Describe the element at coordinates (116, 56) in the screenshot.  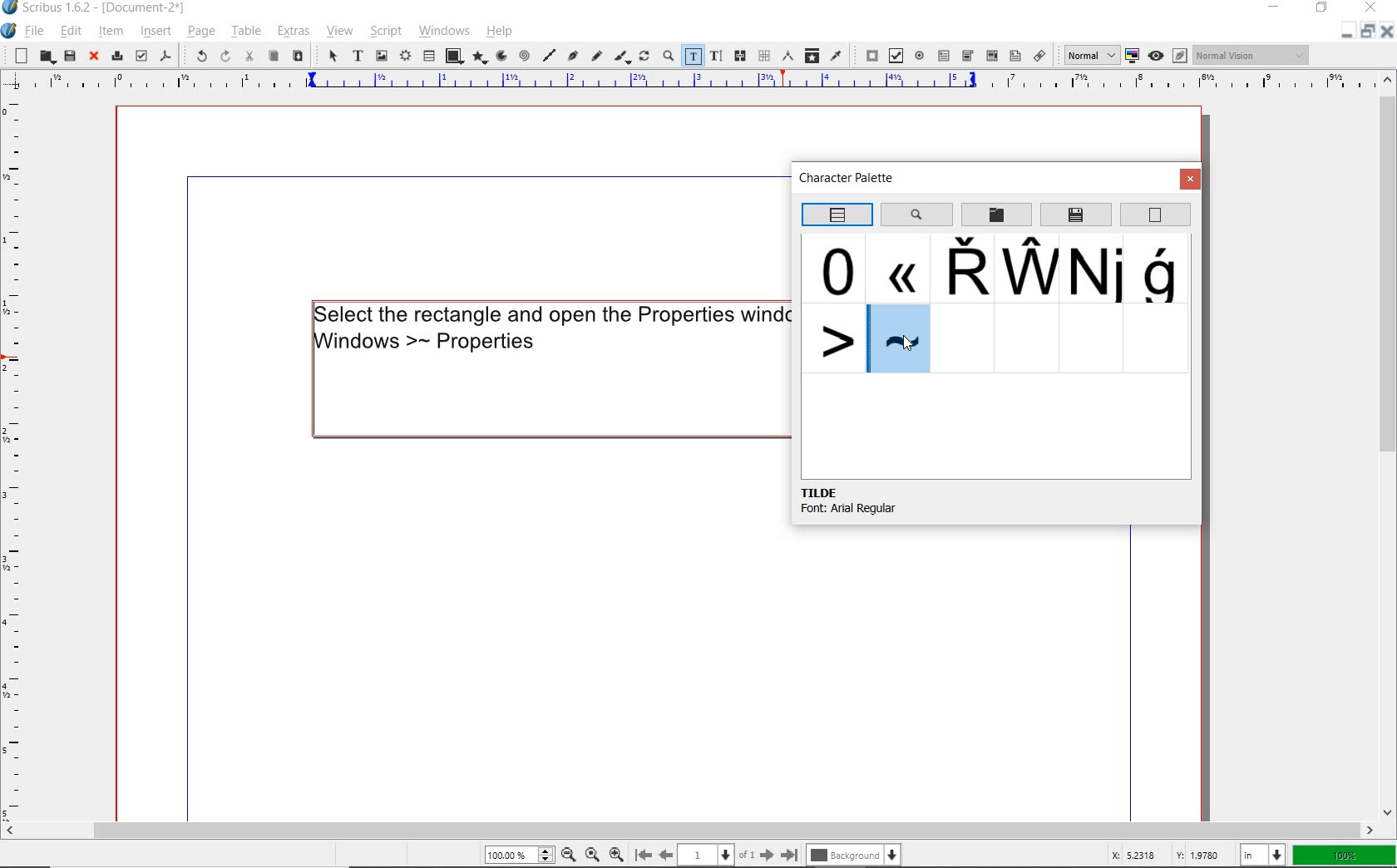
I see `print` at that location.